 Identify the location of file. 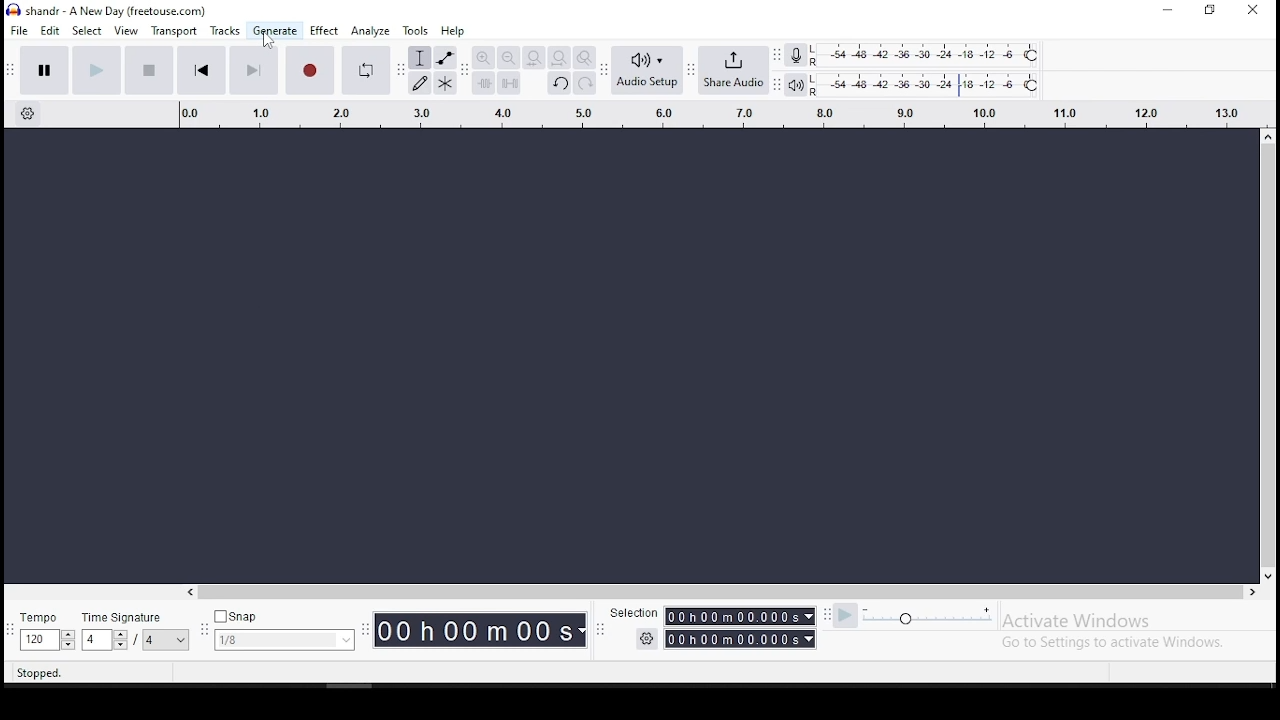
(19, 31).